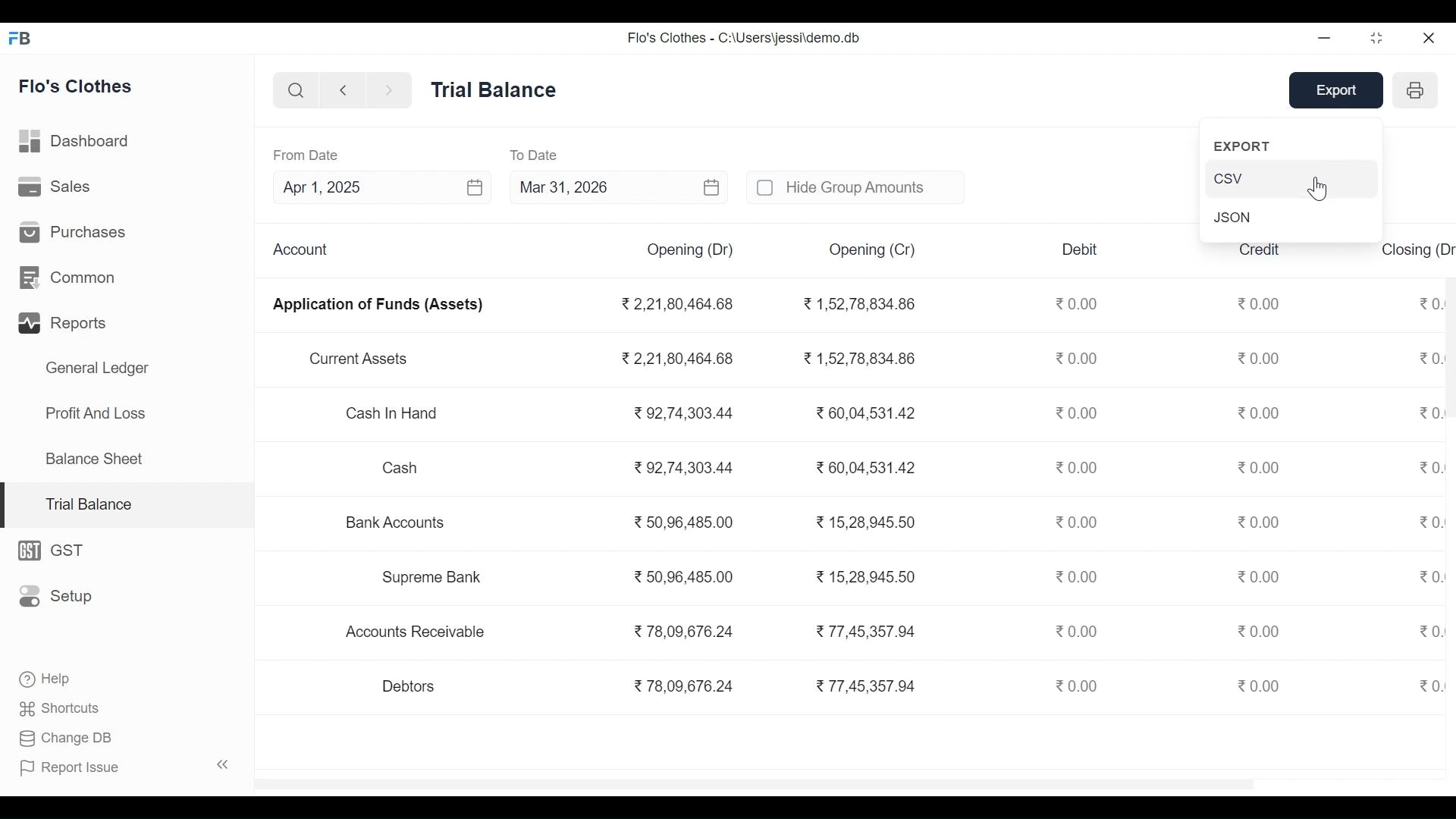 The width and height of the screenshot is (1456, 819). What do you see at coordinates (1076, 522) in the screenshot?
I see `0.00` at bounding box center [1076, 522].